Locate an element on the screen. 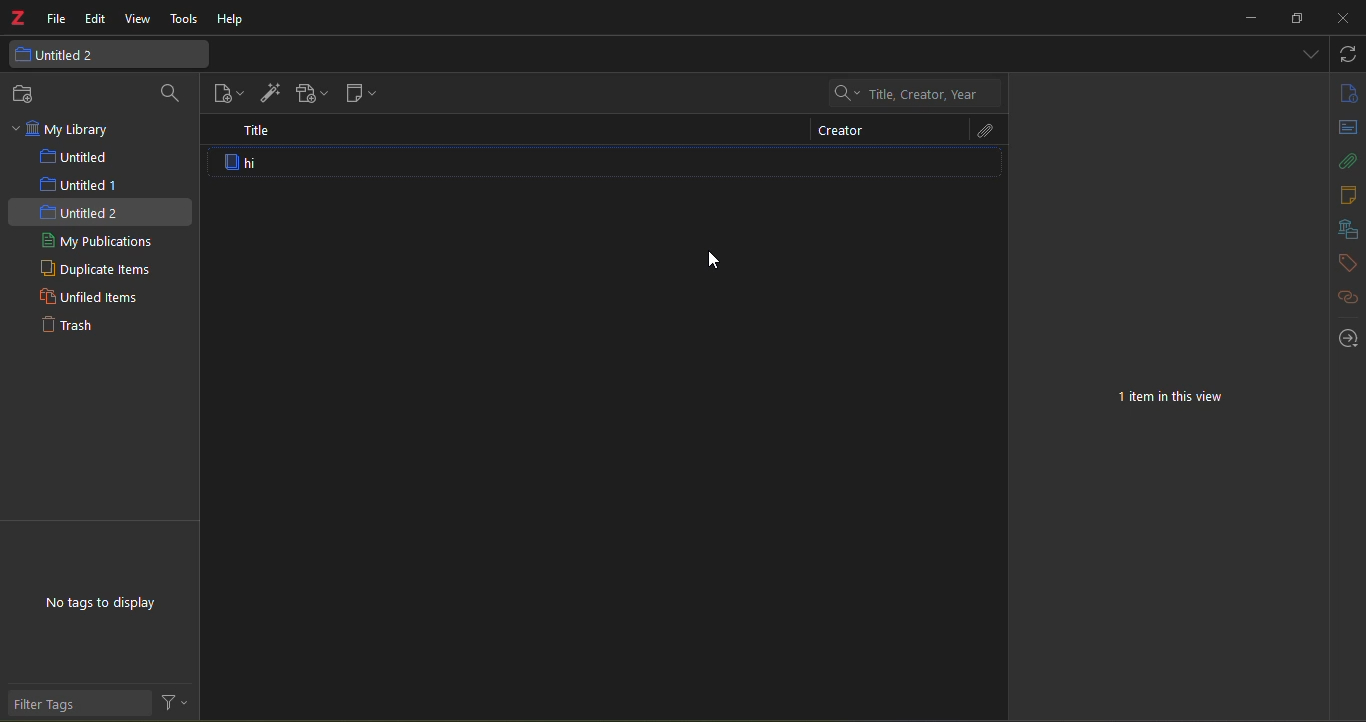 The width and height of the screenshot is (1366, 722). notes is located at coordinates (1347, 196).